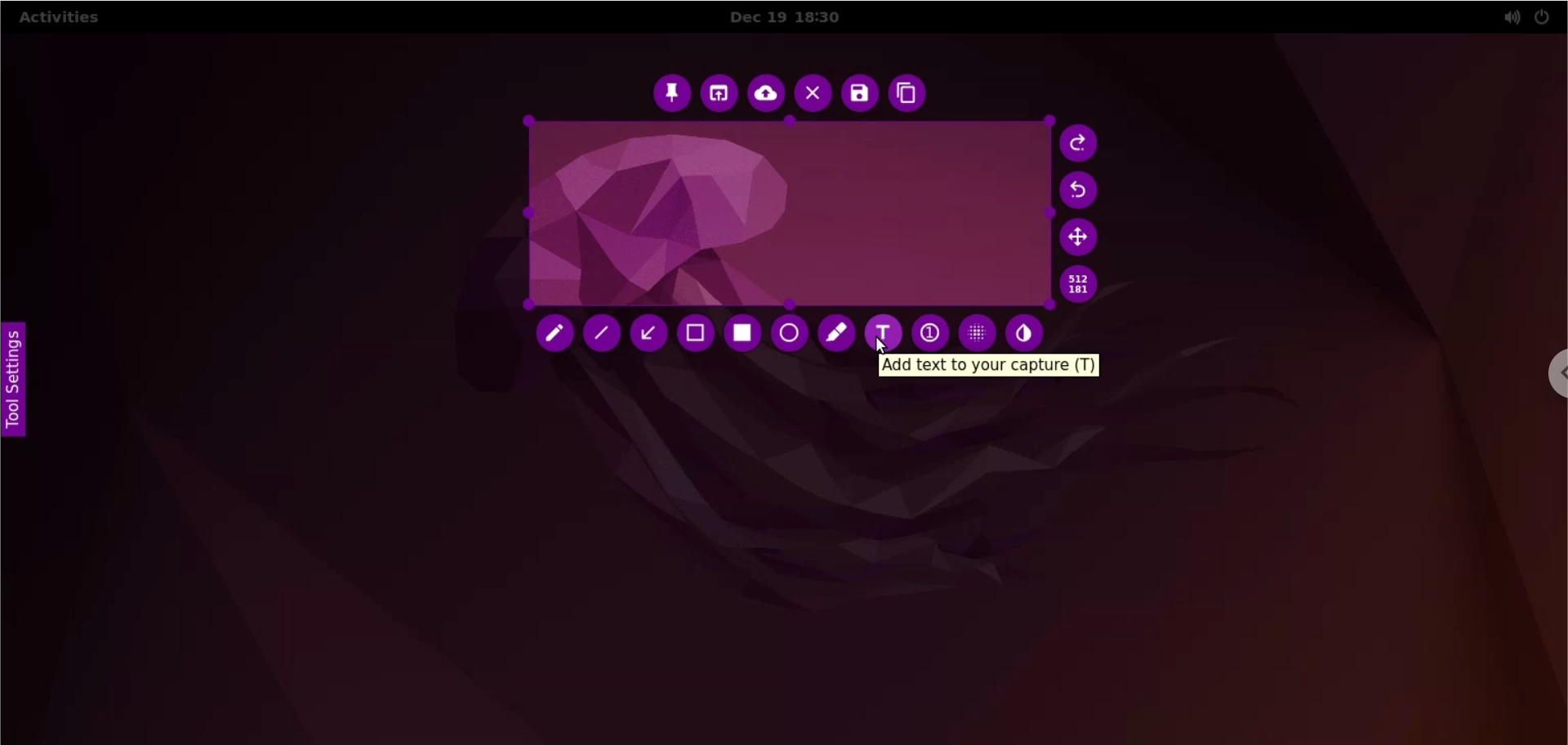 The width and height of the screenshot is (1568, 745). What do you see at coordinates (836, 336) in the screenshot?
I see `marker tool` at bounding box center [836, 336].